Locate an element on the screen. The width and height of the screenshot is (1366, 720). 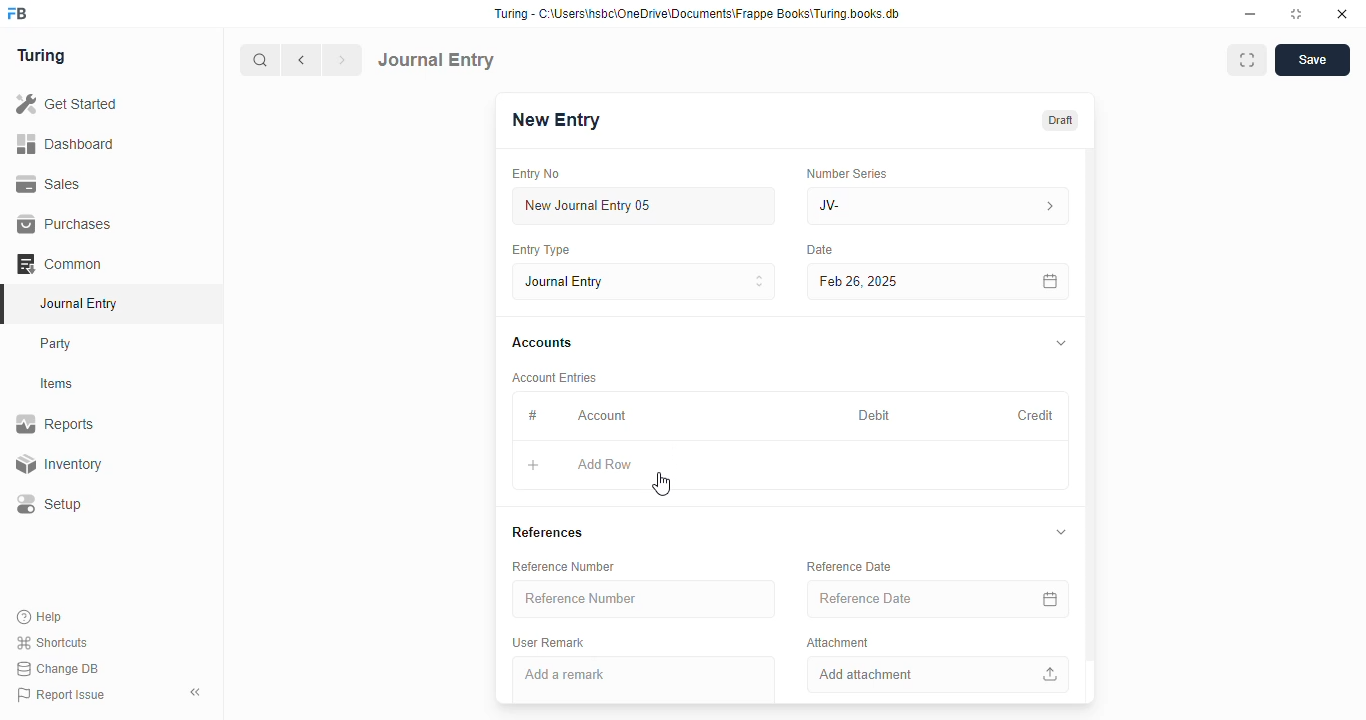
next is located at coordinates (344, 60).